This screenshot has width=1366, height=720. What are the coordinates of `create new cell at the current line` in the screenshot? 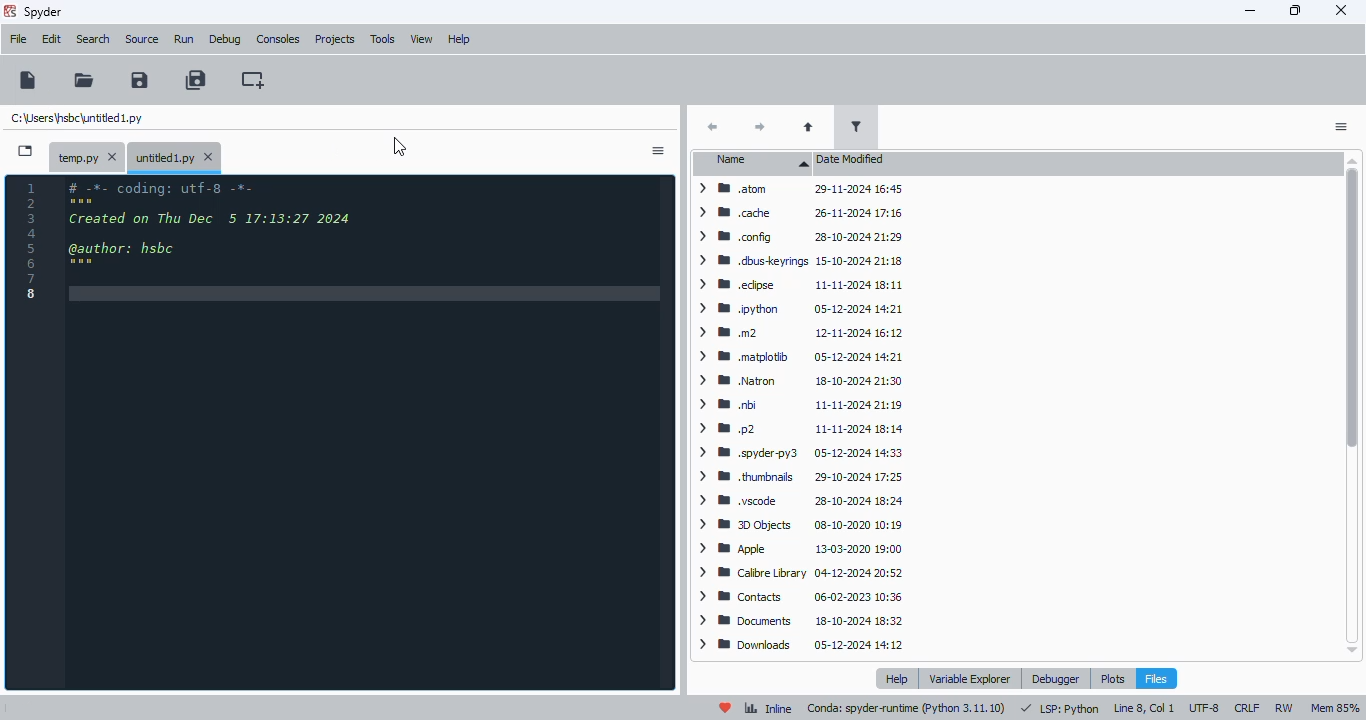 It's located at (253, 80).